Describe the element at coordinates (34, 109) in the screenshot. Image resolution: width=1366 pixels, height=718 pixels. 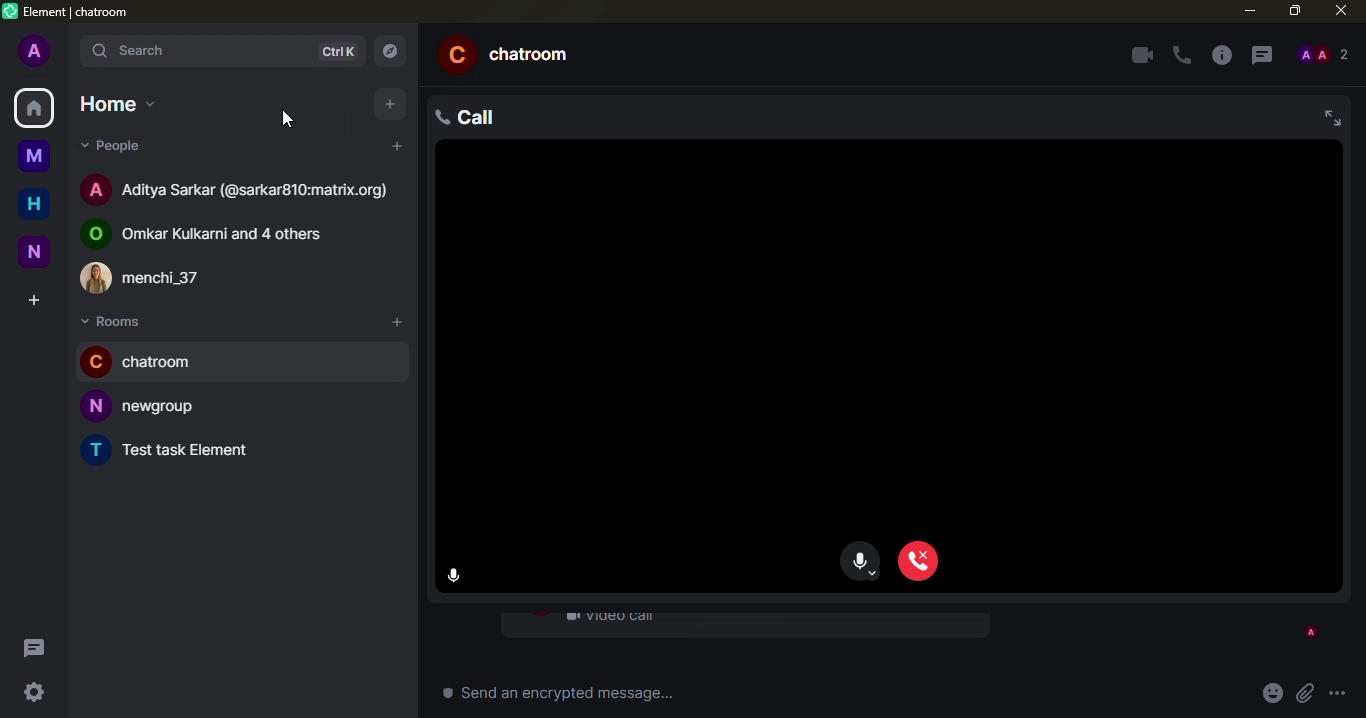
I see `home` at that location.